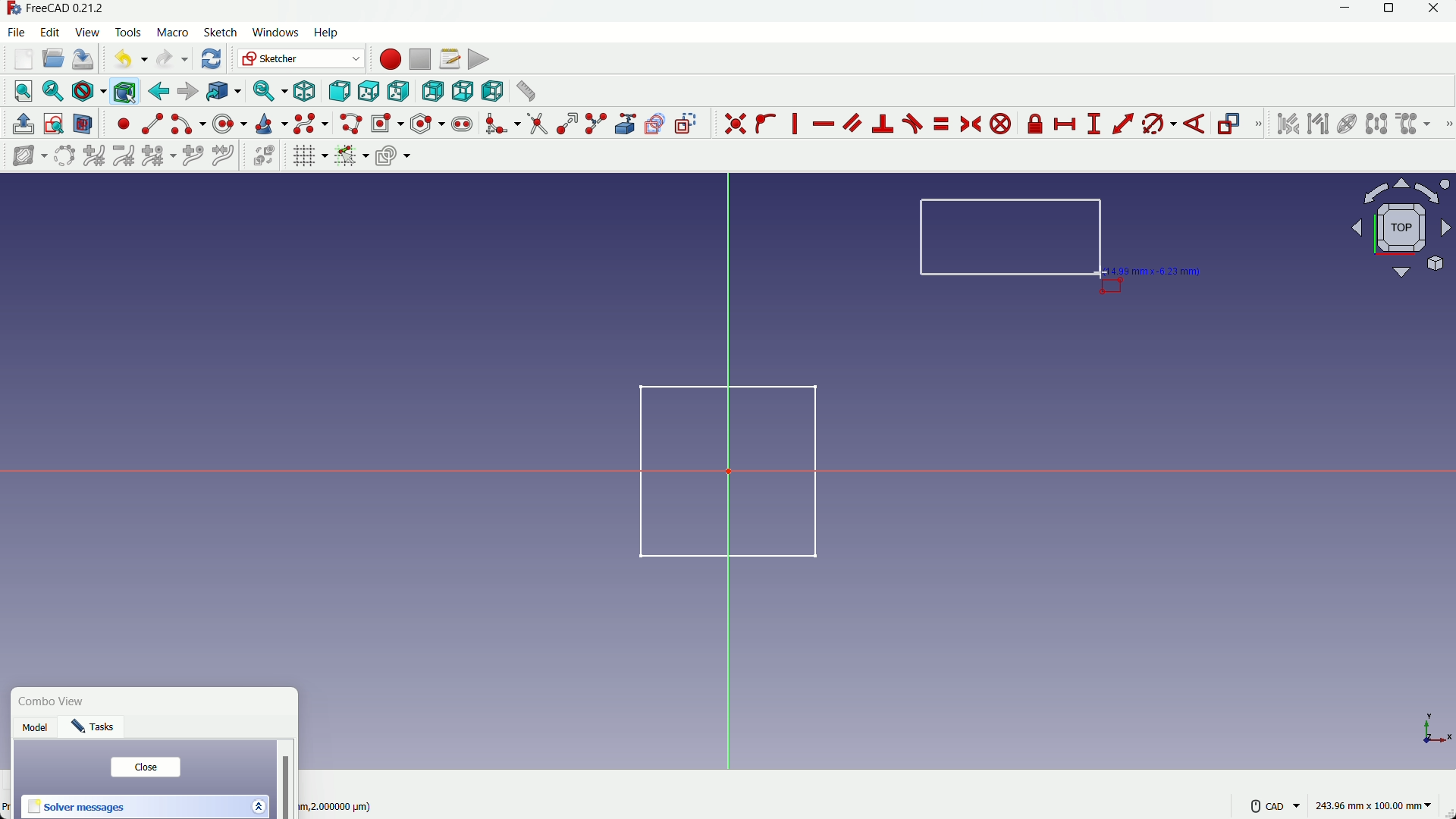  Describe the element at coordinates (267, 92) in the screenshot. I see `sync view` at that location.